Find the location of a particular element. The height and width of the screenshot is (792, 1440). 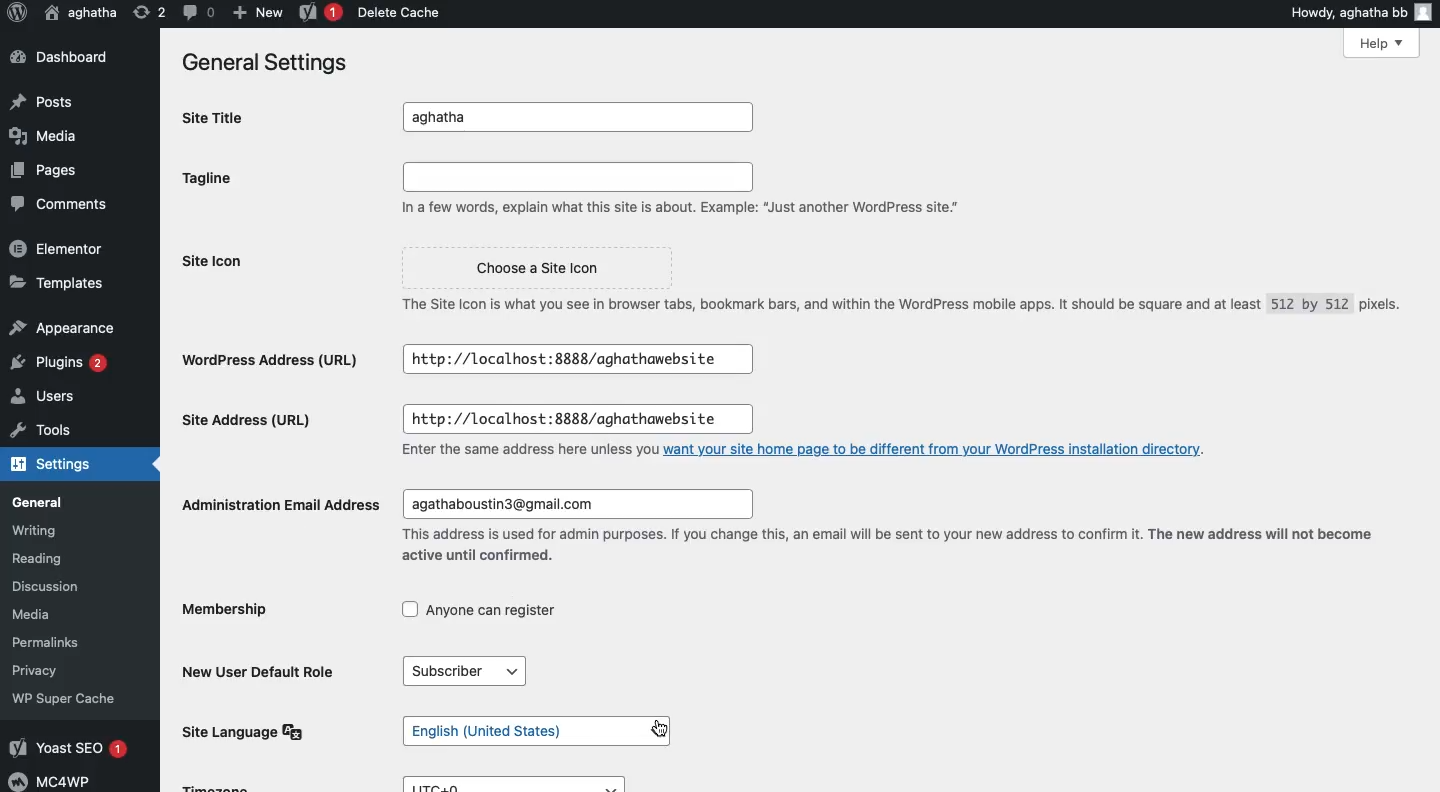

Comment is located at coordinates (195, 12).